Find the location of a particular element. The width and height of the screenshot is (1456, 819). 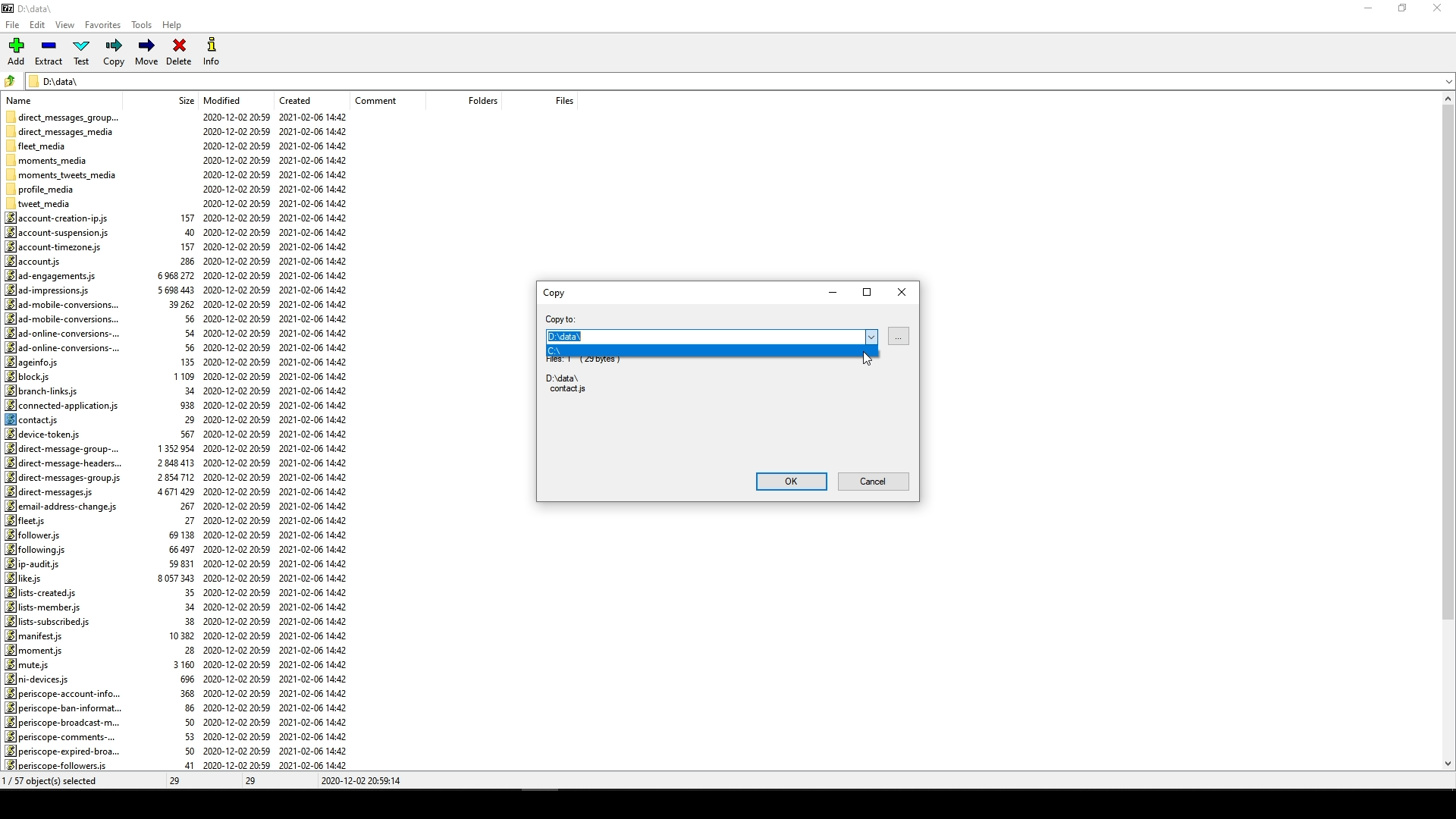

Help is located at coordinates (175, 27).